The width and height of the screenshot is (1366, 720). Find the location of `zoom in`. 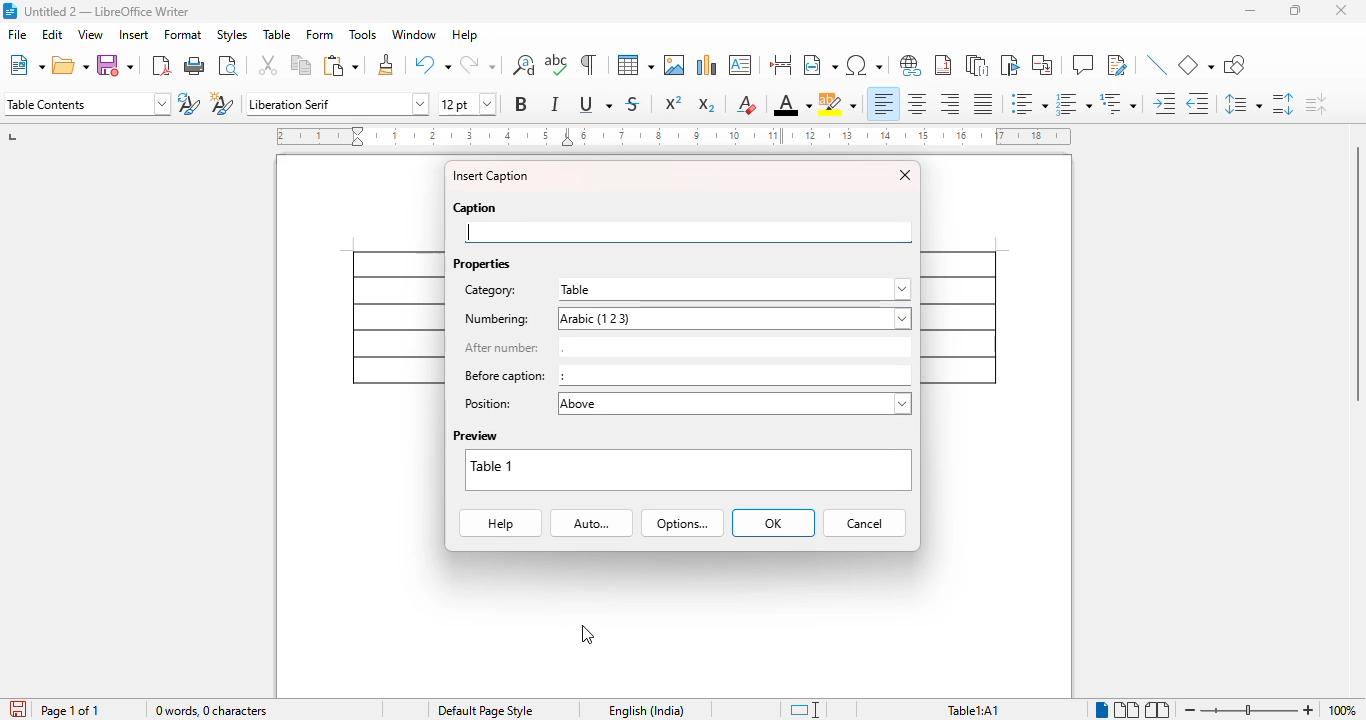

zoom in is located at coordinates (1310, 710).